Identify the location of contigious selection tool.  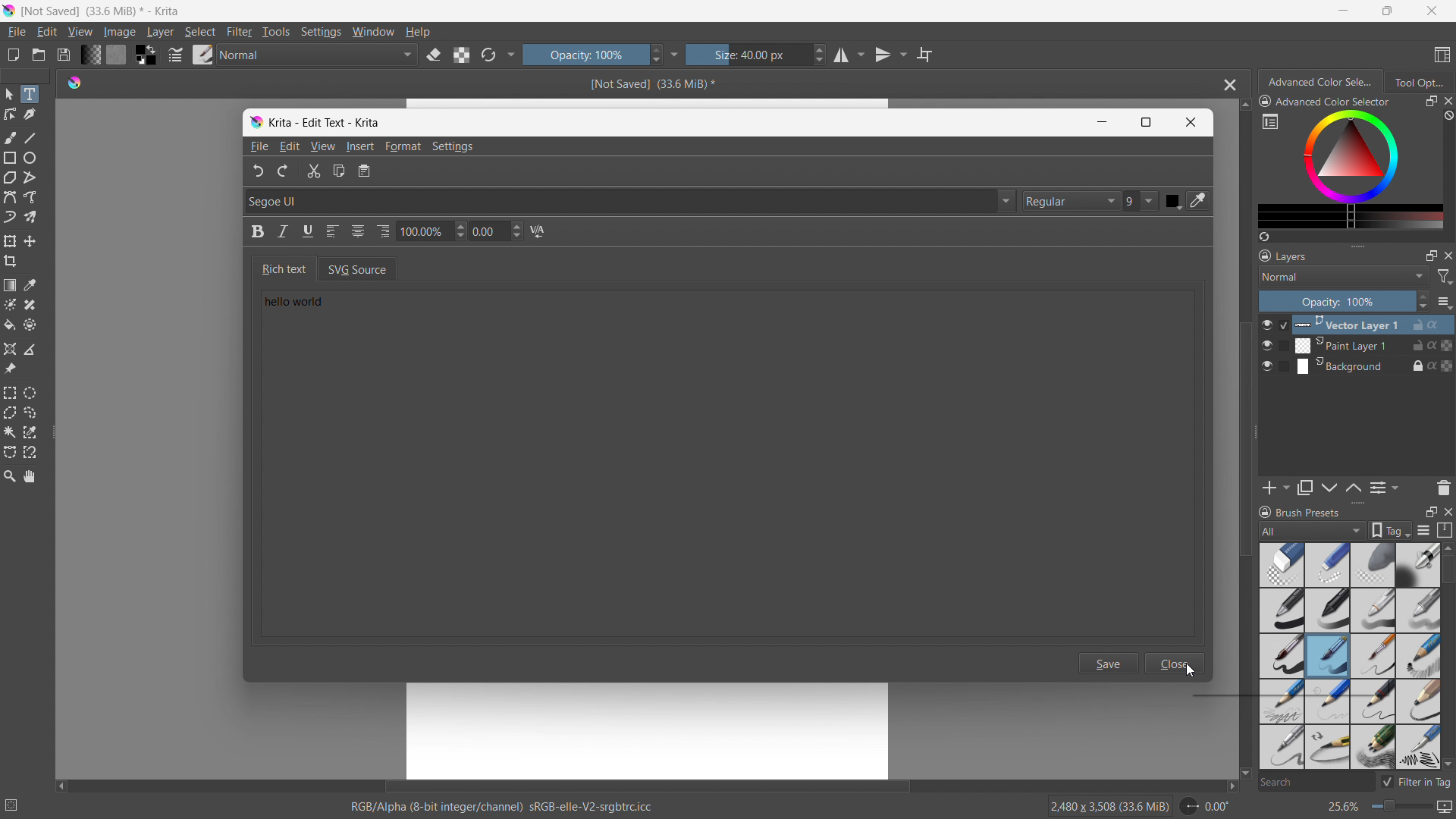
(10, 432).